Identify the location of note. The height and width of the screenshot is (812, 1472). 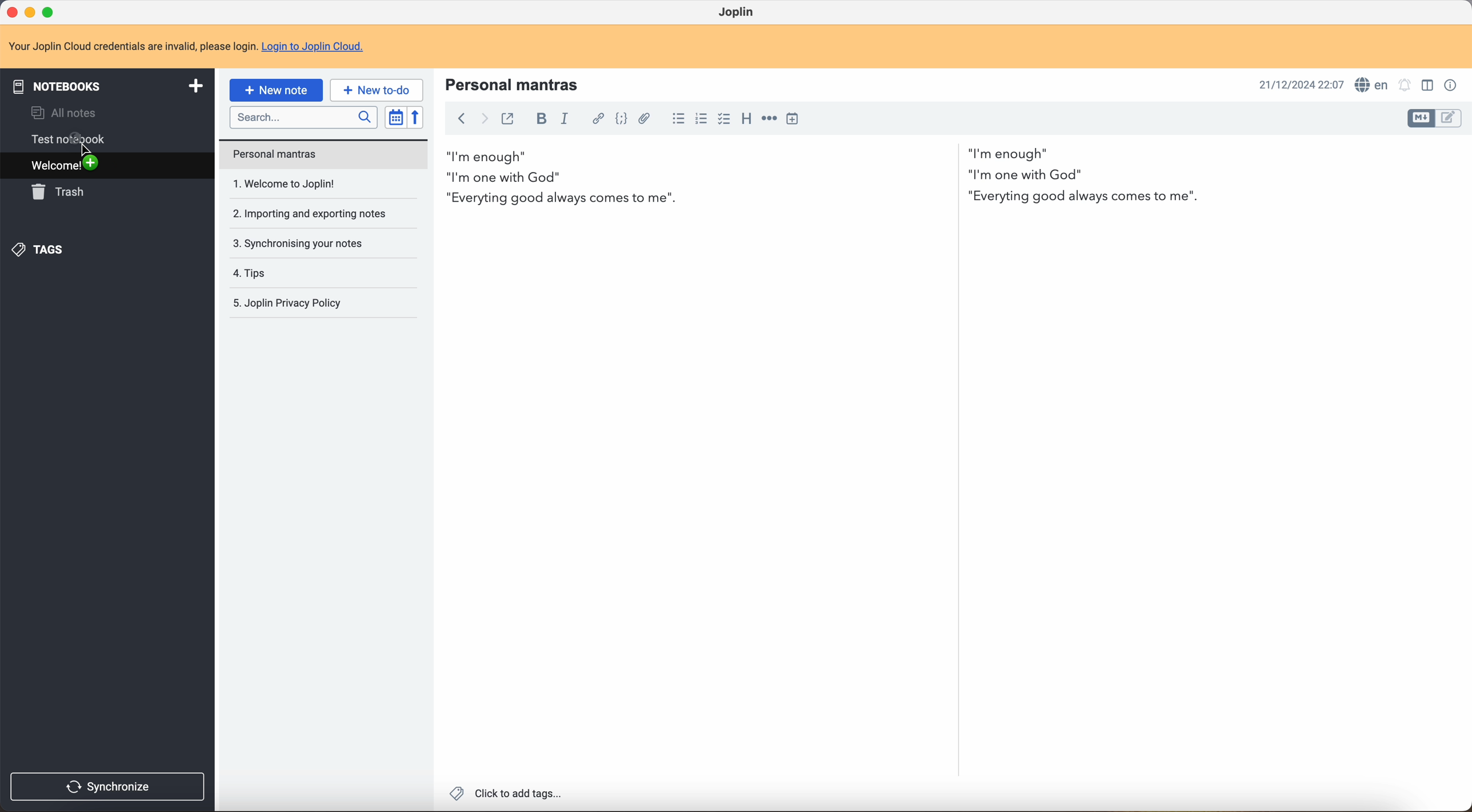
(129, 46).